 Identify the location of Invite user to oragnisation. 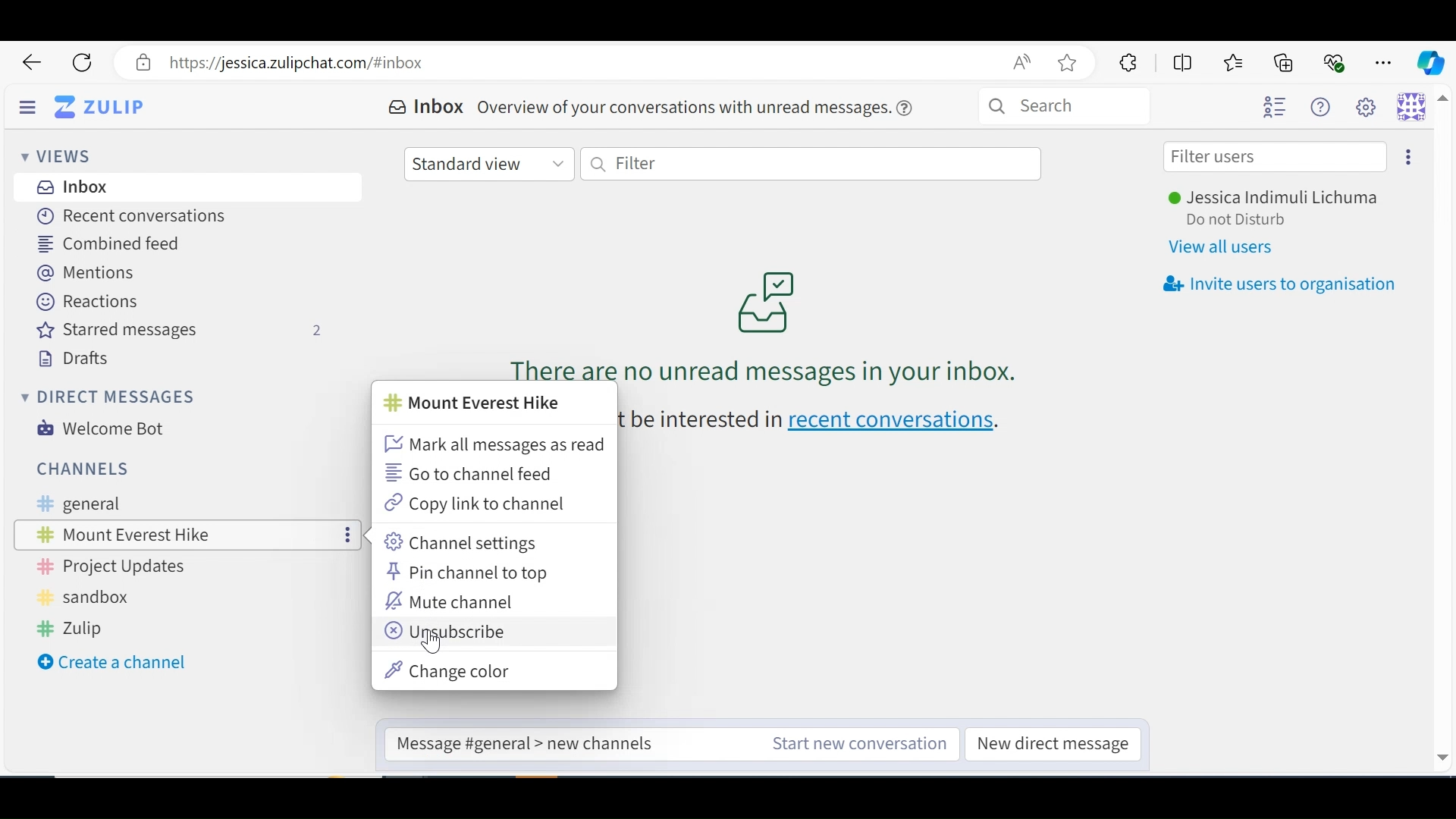
(1278, 285).